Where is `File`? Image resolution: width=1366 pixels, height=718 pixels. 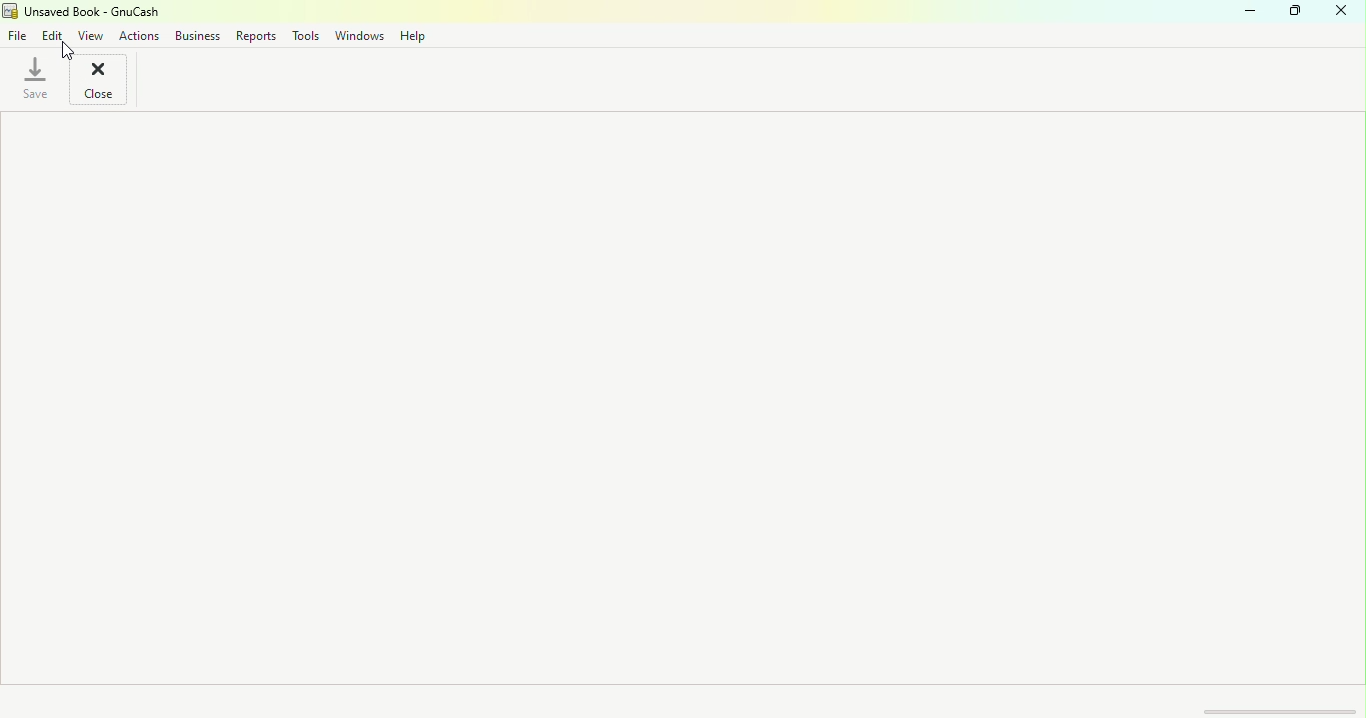 File is located at coordinates (18, 38).